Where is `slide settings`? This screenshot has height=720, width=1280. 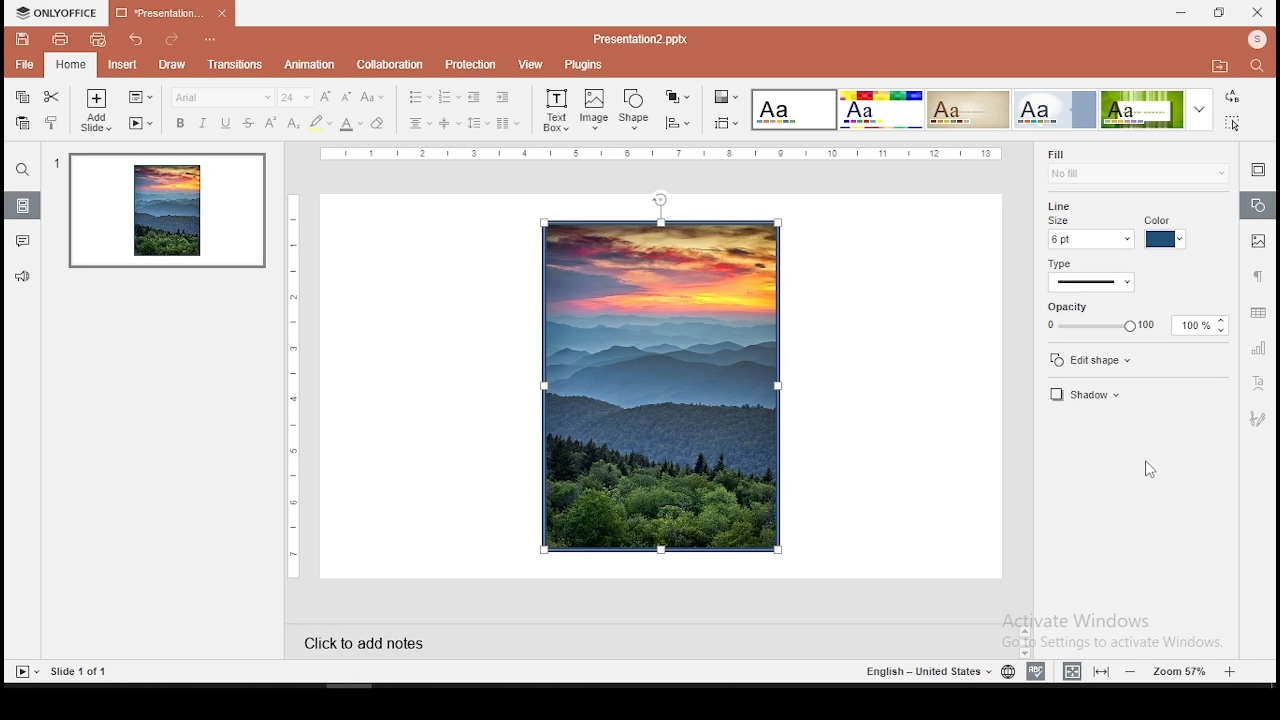 slide settings is located at coordinates (1256, 169).